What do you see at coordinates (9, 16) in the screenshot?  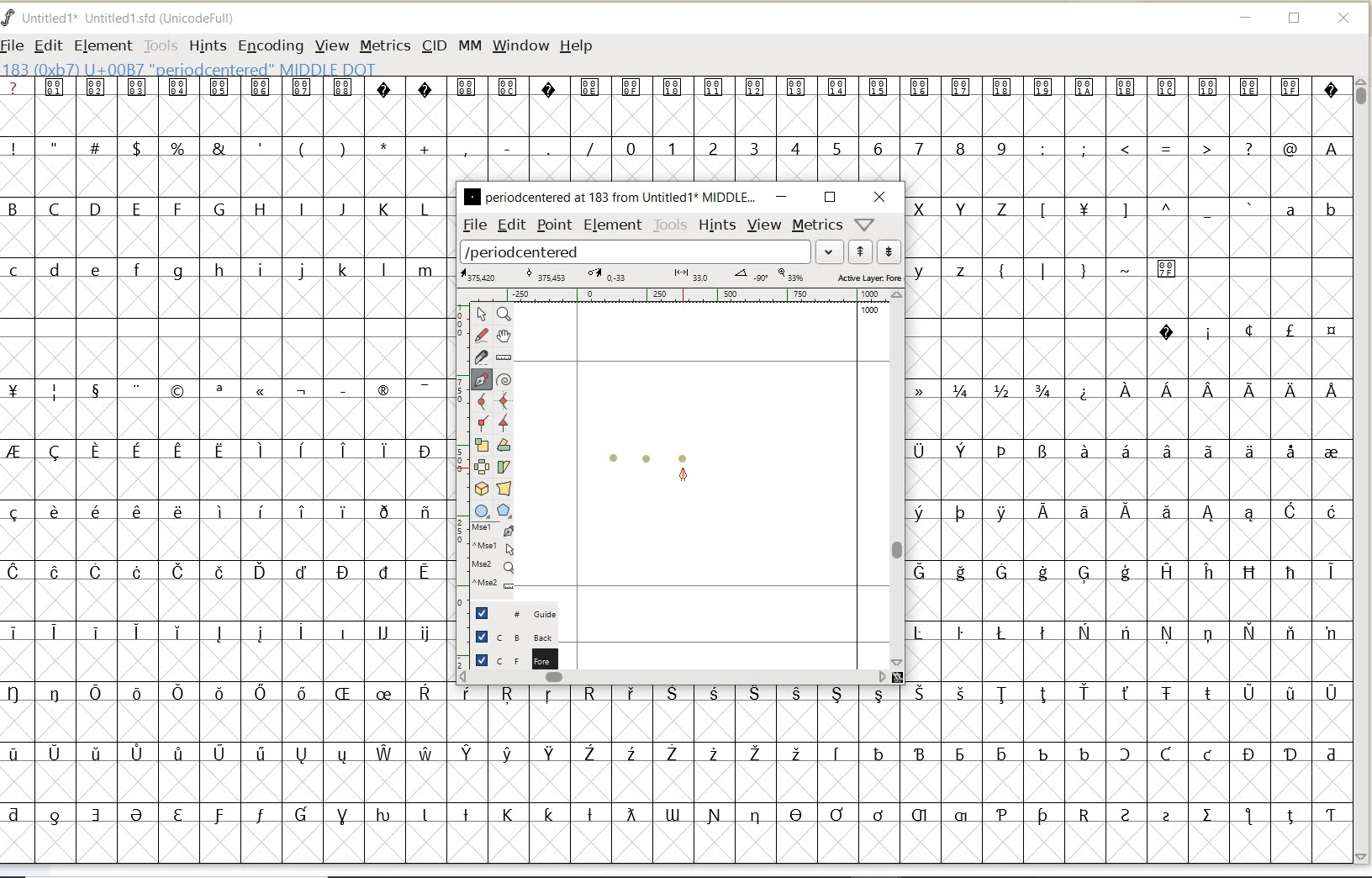 I see `FontForge Logo` at bounding box center [9, 16].